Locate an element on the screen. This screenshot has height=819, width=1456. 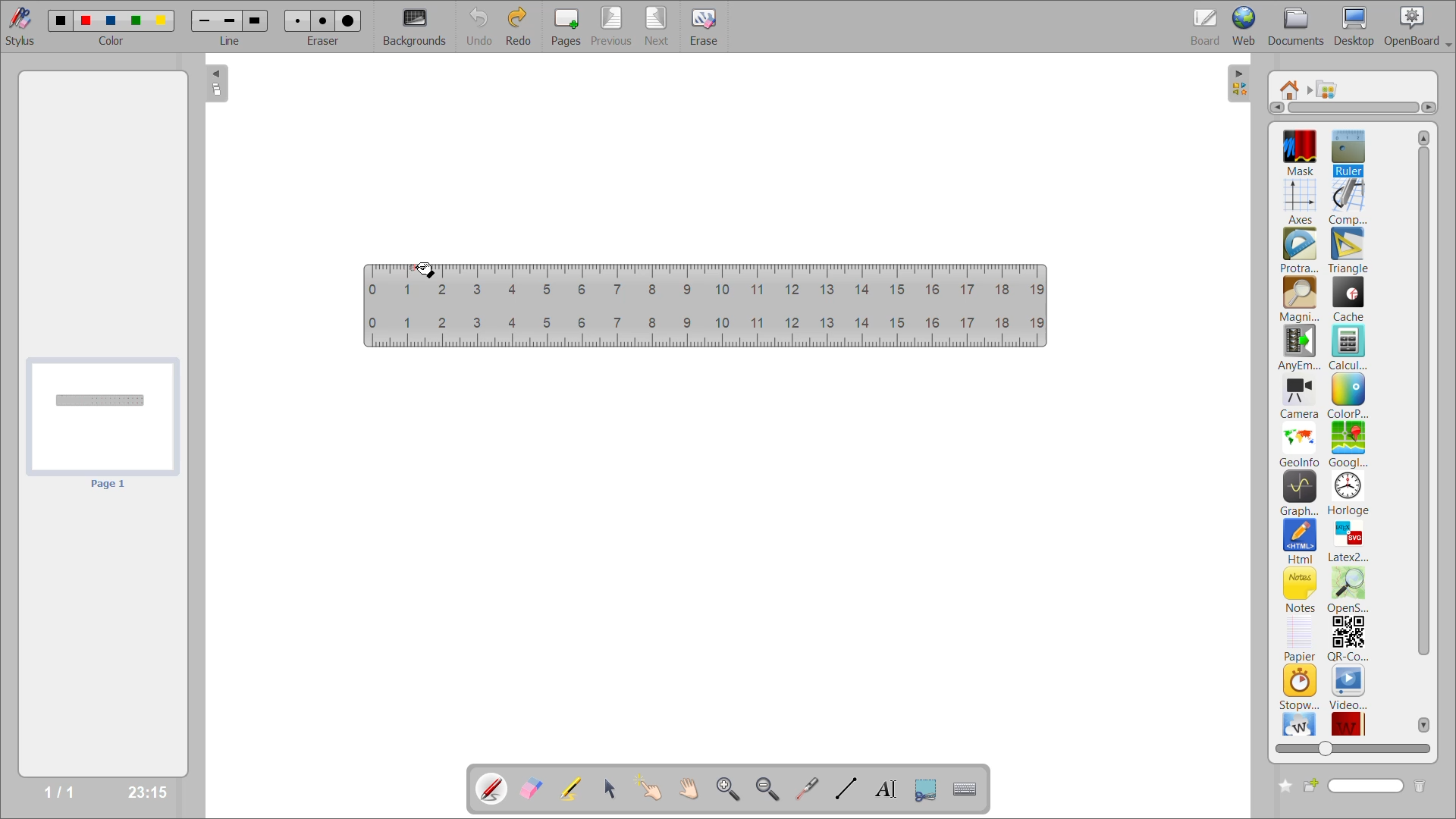
calculator is located at coordinates (1350, 347).